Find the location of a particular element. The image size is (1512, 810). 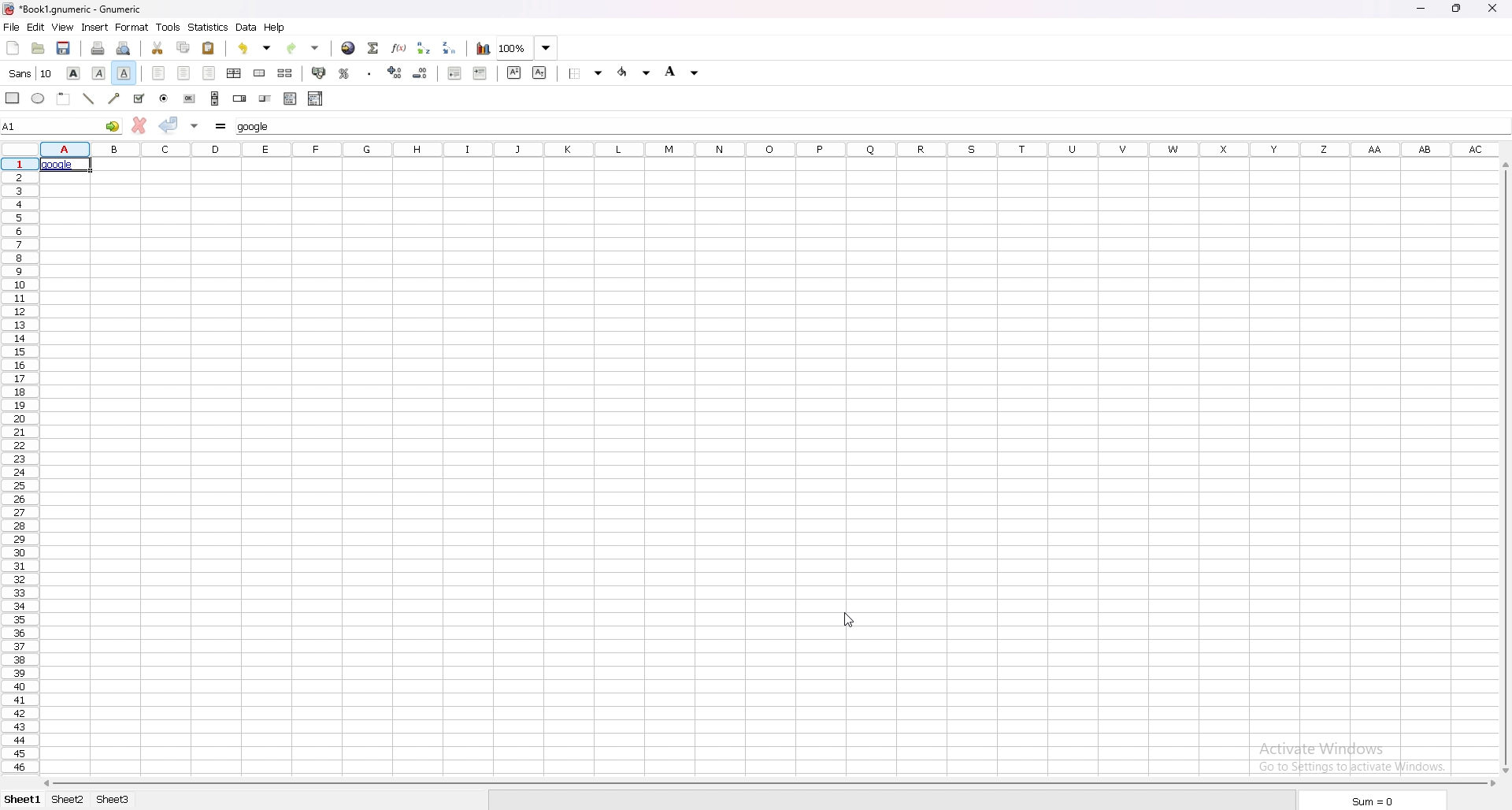

selected cell column is located at coordinates (773, 149).